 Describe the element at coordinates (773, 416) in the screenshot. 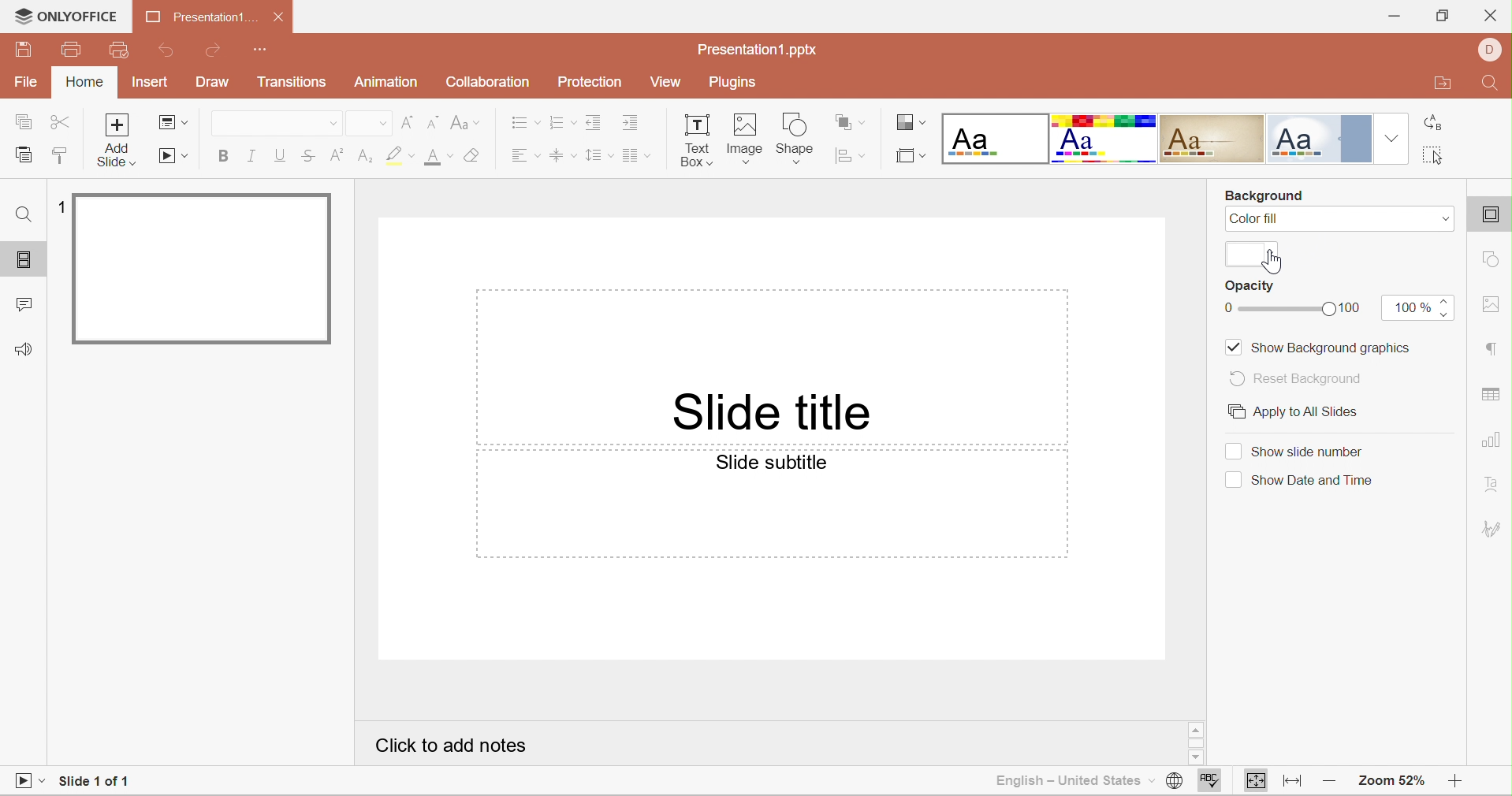

I see `Slide Title` at that location.